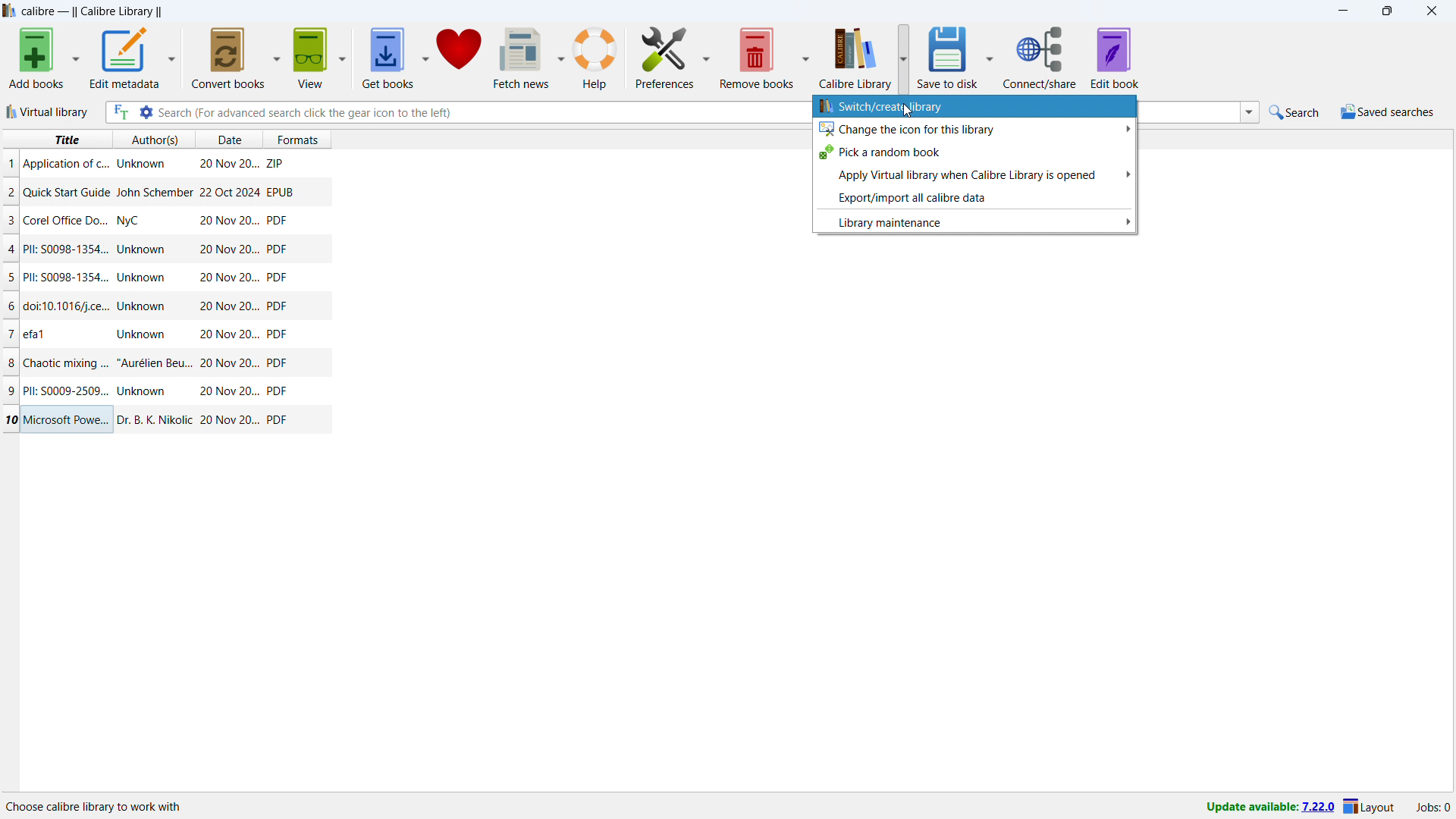 This screenshot has width=1456, height=819. What do you see at coordinates (1116, 58) in the screenshot?
I see `edit book` at bounding box center [1116, 58].